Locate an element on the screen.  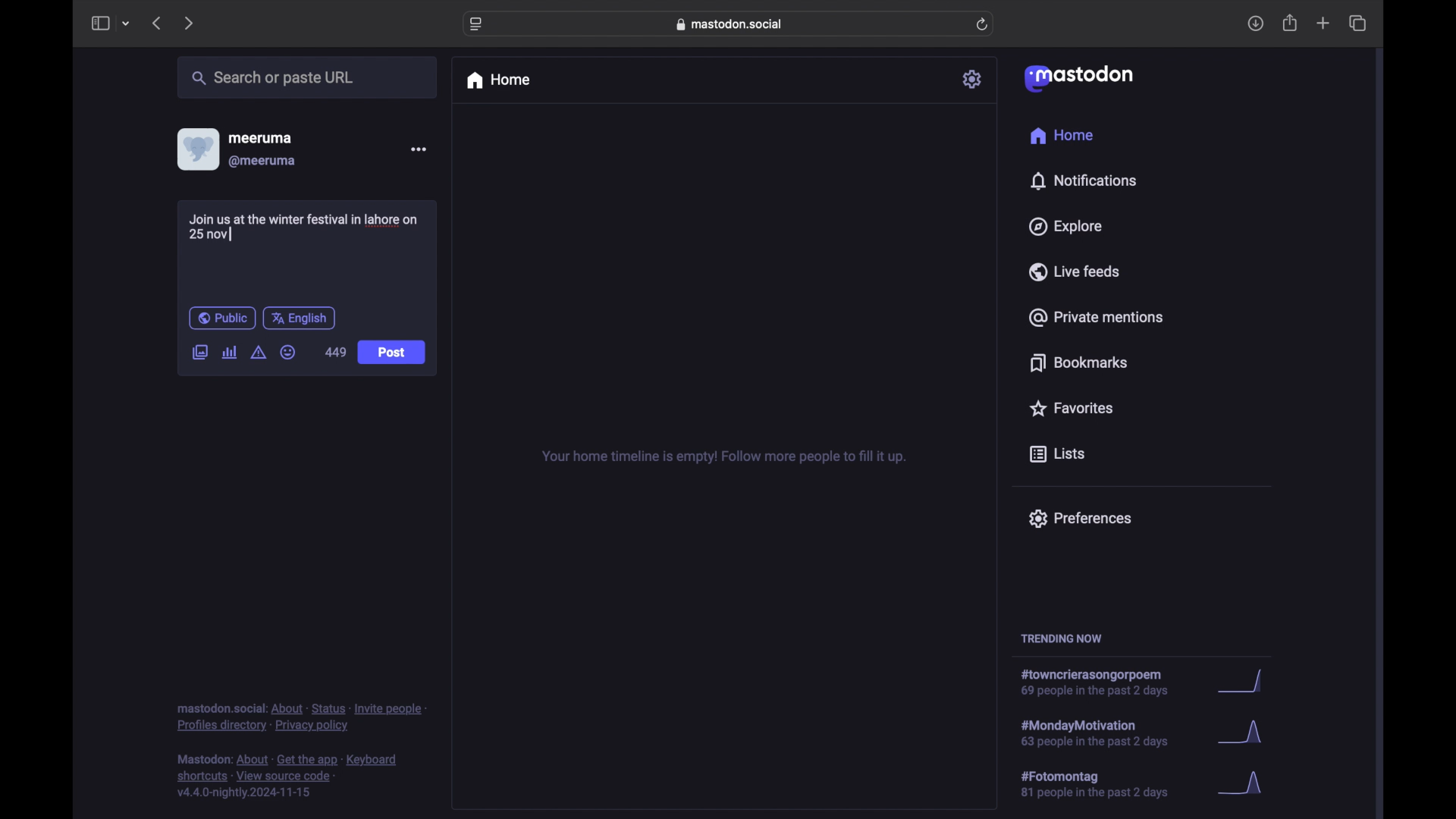
share is located at coordinates (1291, 24).